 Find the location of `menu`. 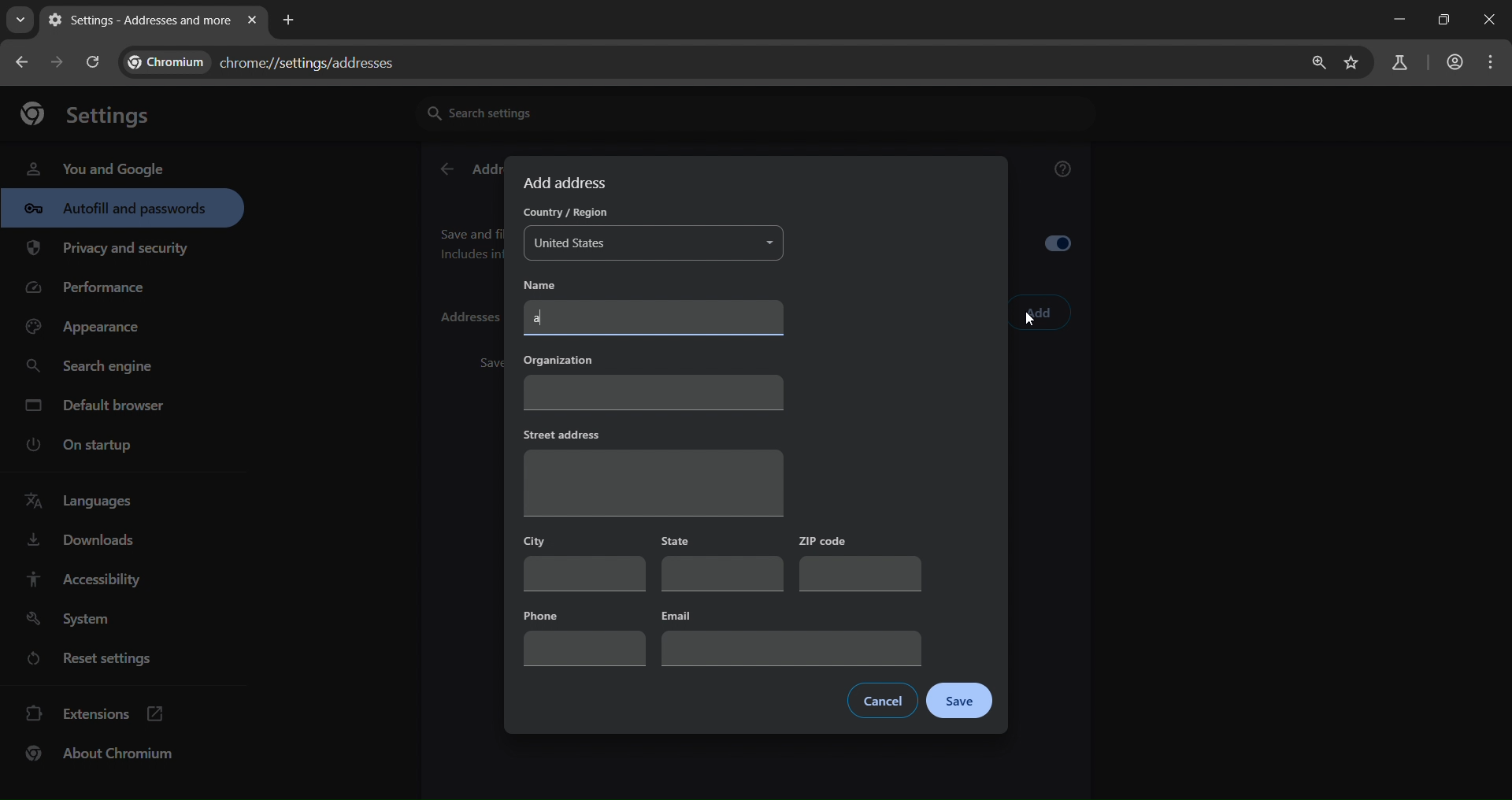

menu is located at coordinates (1495, 62).